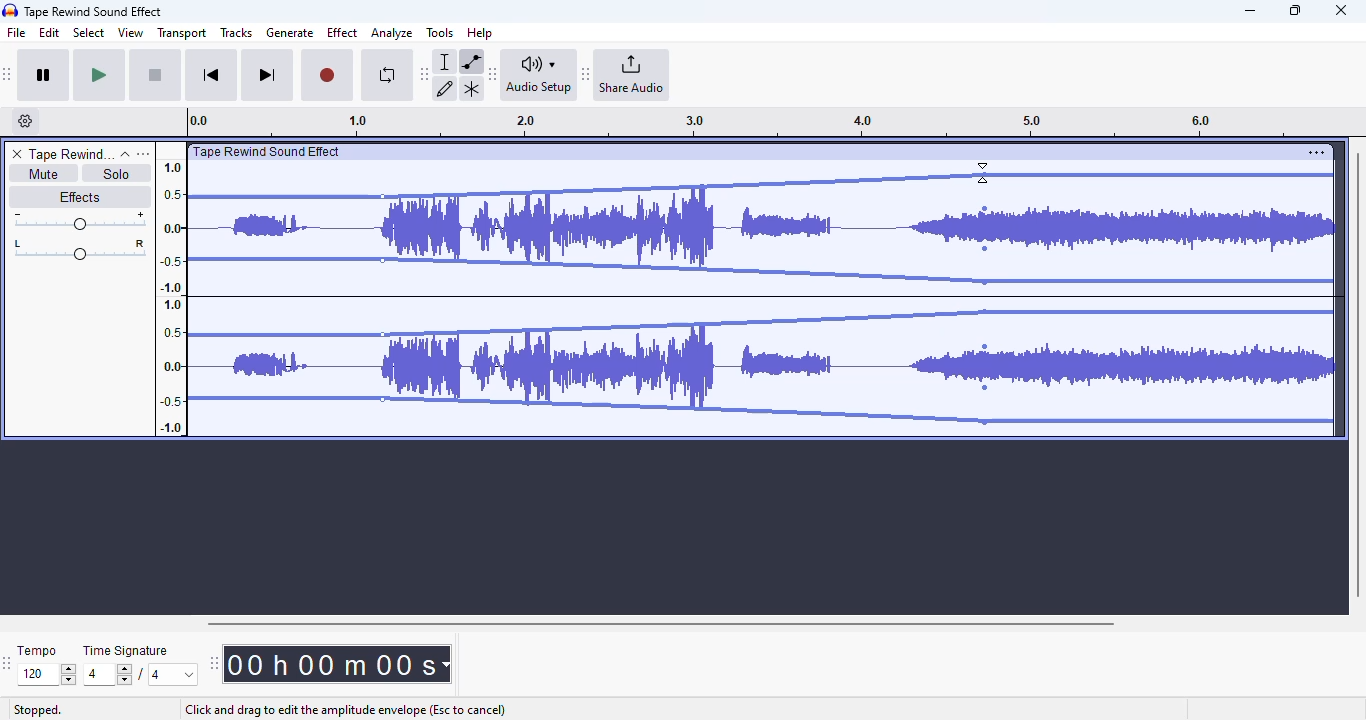  Describe the element at coordinates (344, 710) in the screenshot. I see `click and drag to edit the amplitude envelope (esc to cancel)` at that location.